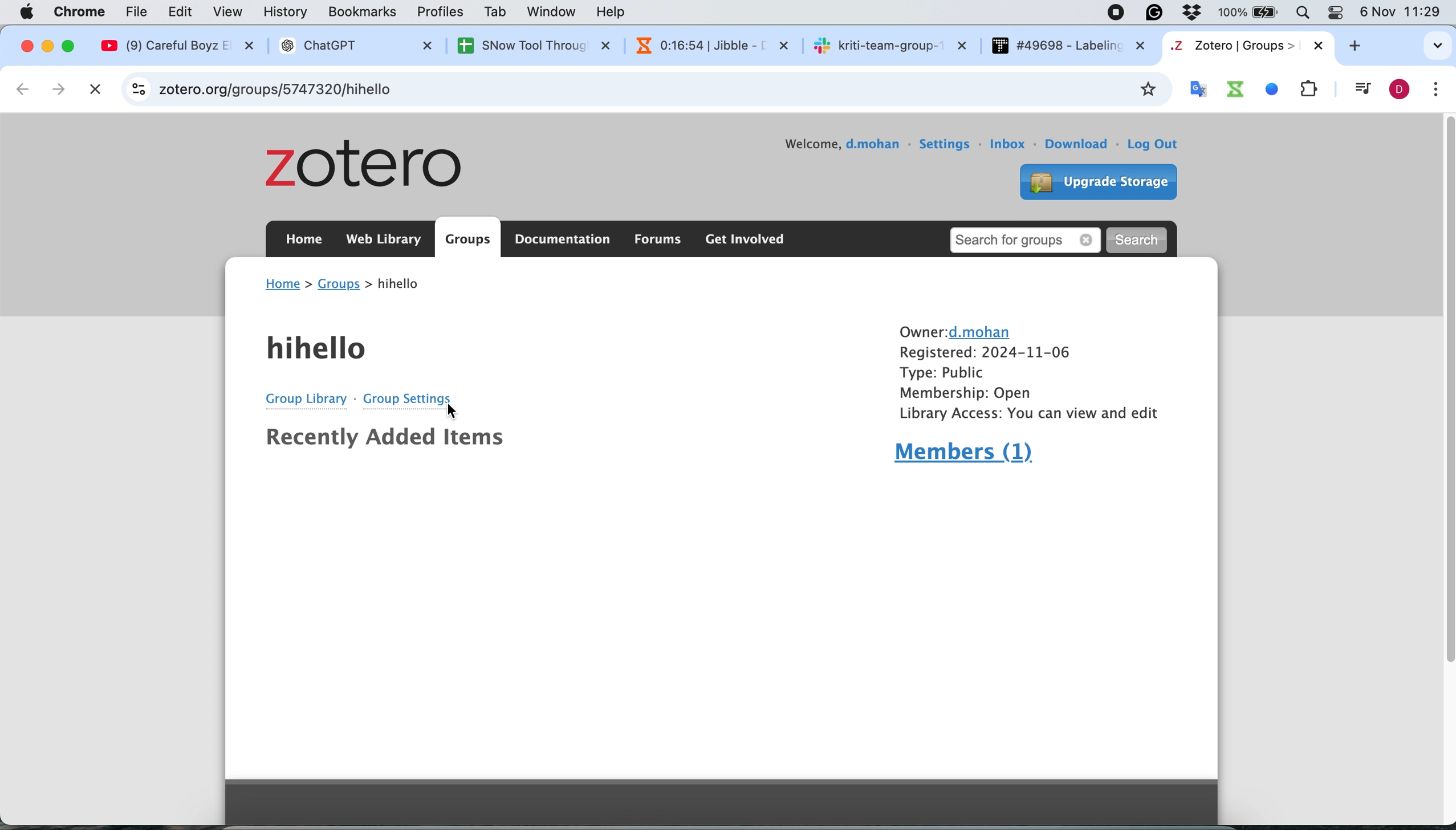 The image size is (1456, 830). Describe the element at coordinates (524, 45) in the screenshot. I see `SNow Tool Throuc  X` at that location.